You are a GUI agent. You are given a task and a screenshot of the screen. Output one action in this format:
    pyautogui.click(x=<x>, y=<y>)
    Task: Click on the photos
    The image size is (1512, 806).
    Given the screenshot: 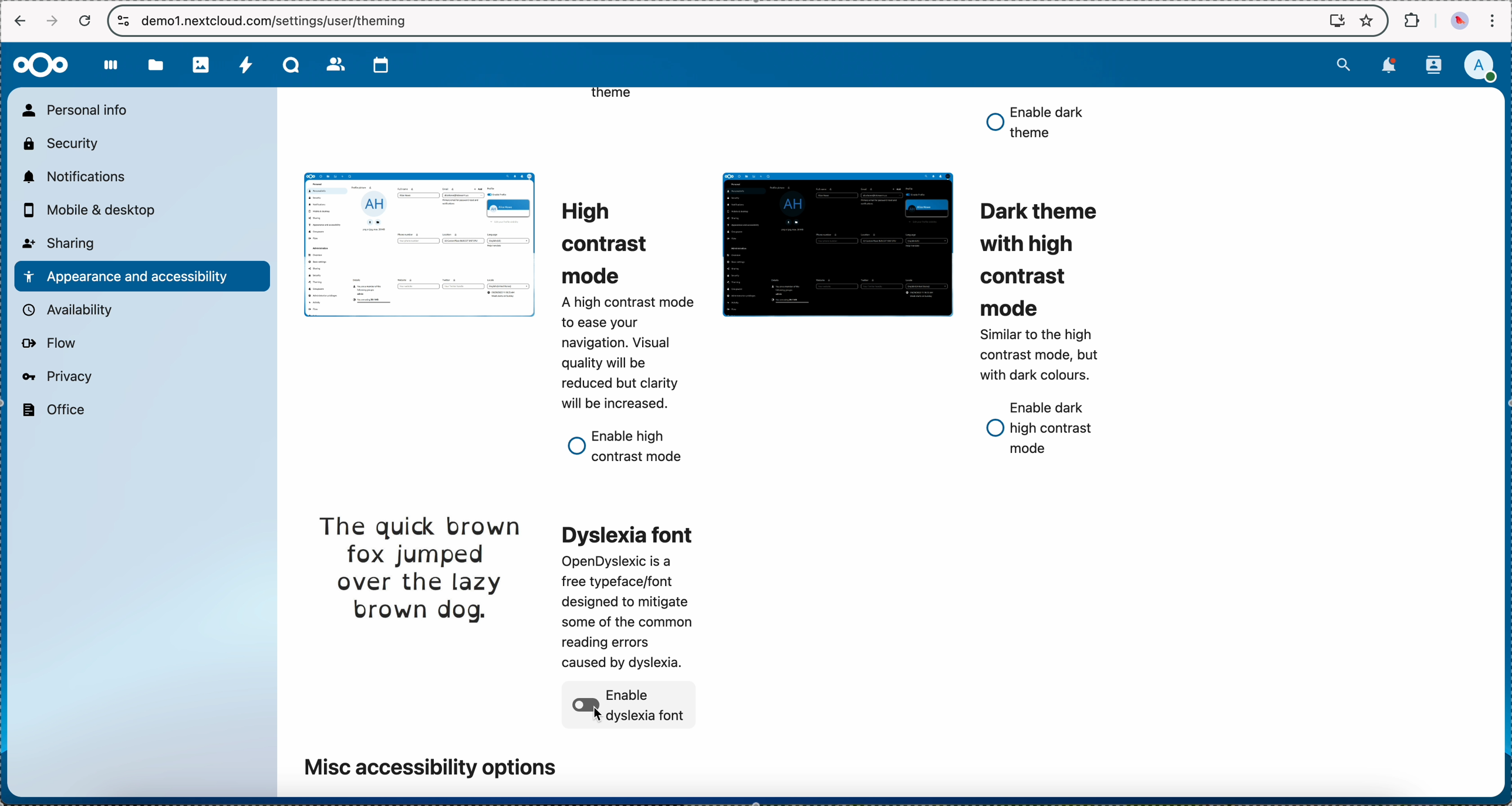 What is the action you would take?
    pyautogui.click(x=201, y=66)
    